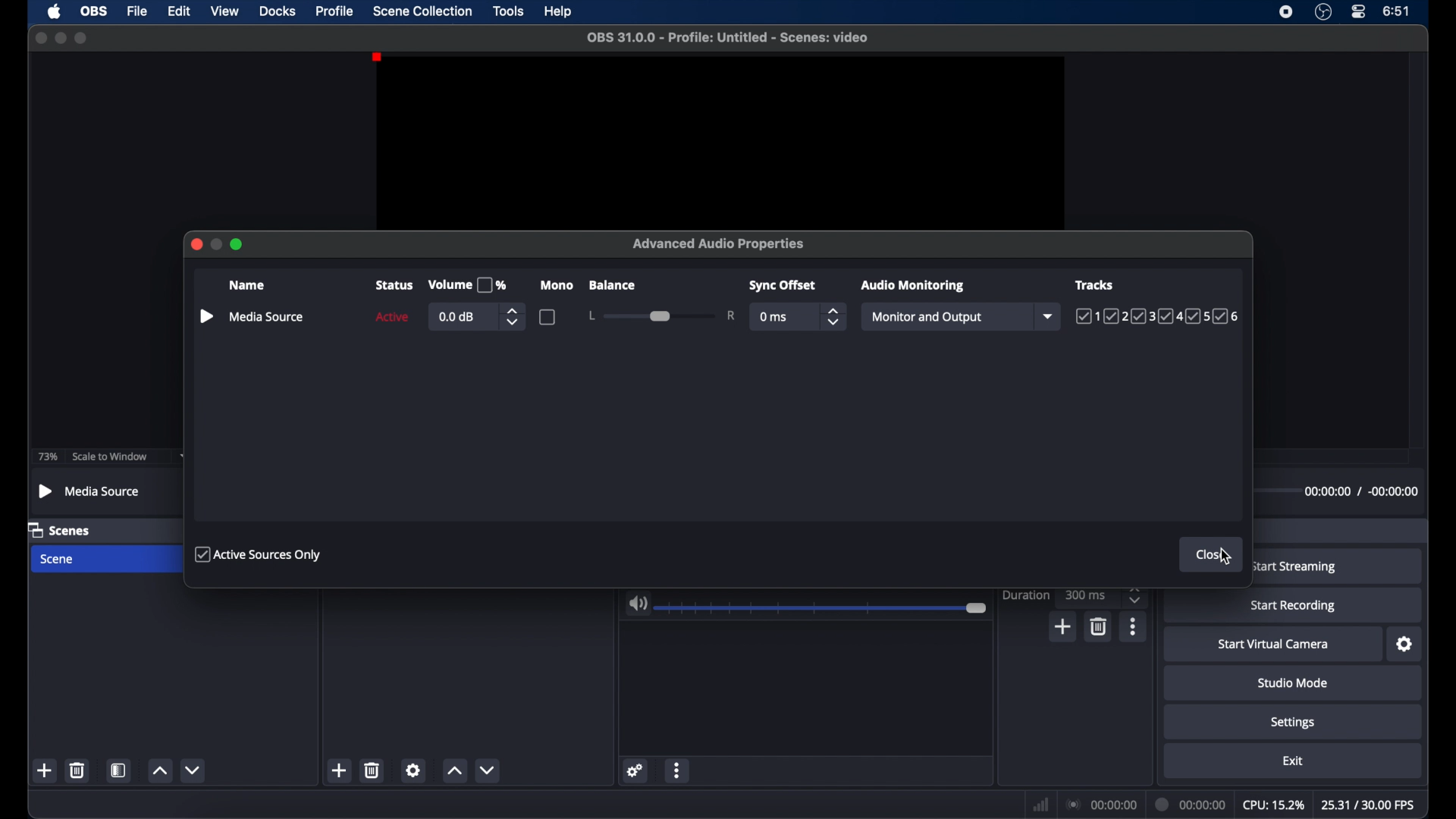  I want to click on 0 ms, so click(773, 318).